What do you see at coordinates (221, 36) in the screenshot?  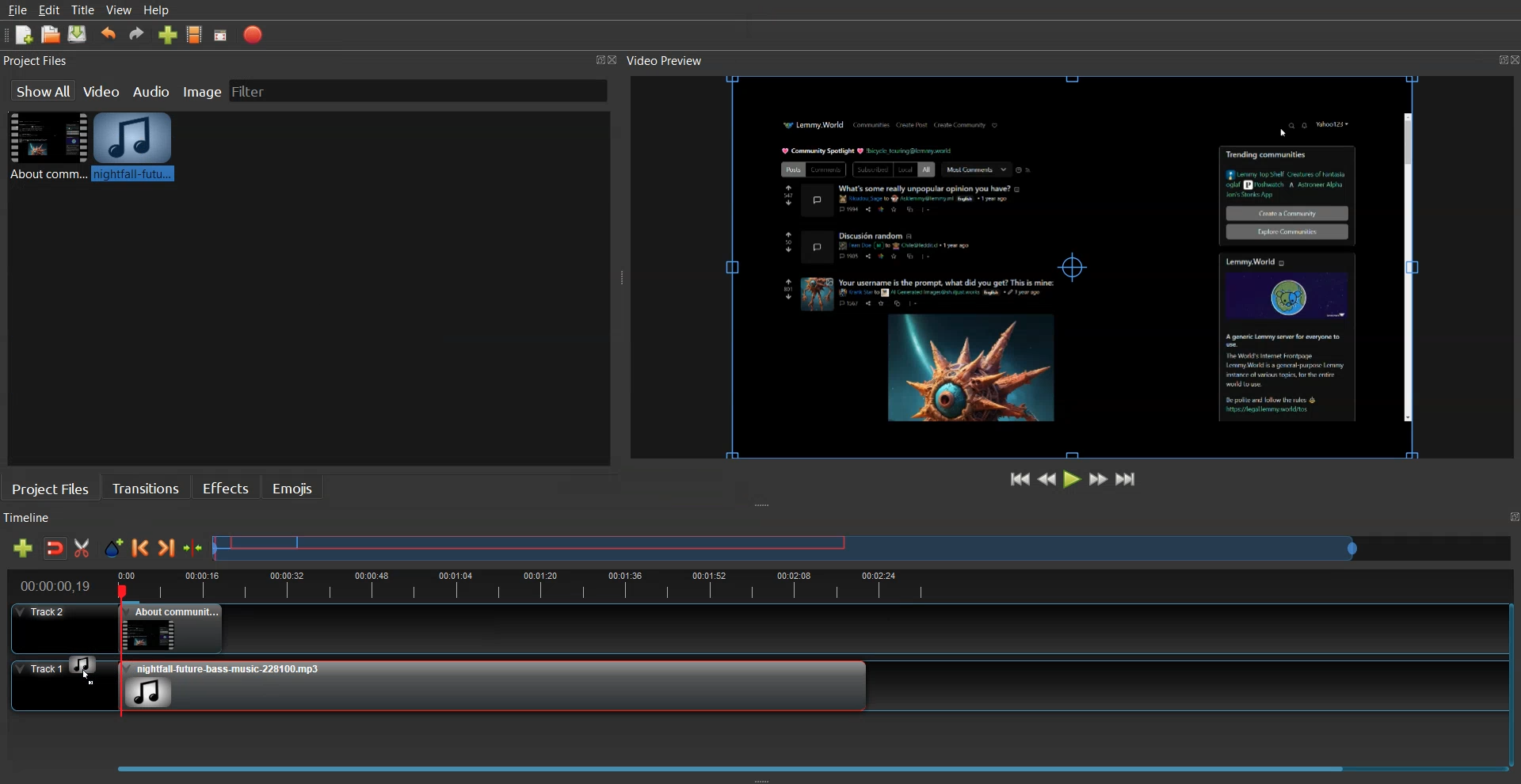 I see `Full screen` at bounding box center [221, 36].